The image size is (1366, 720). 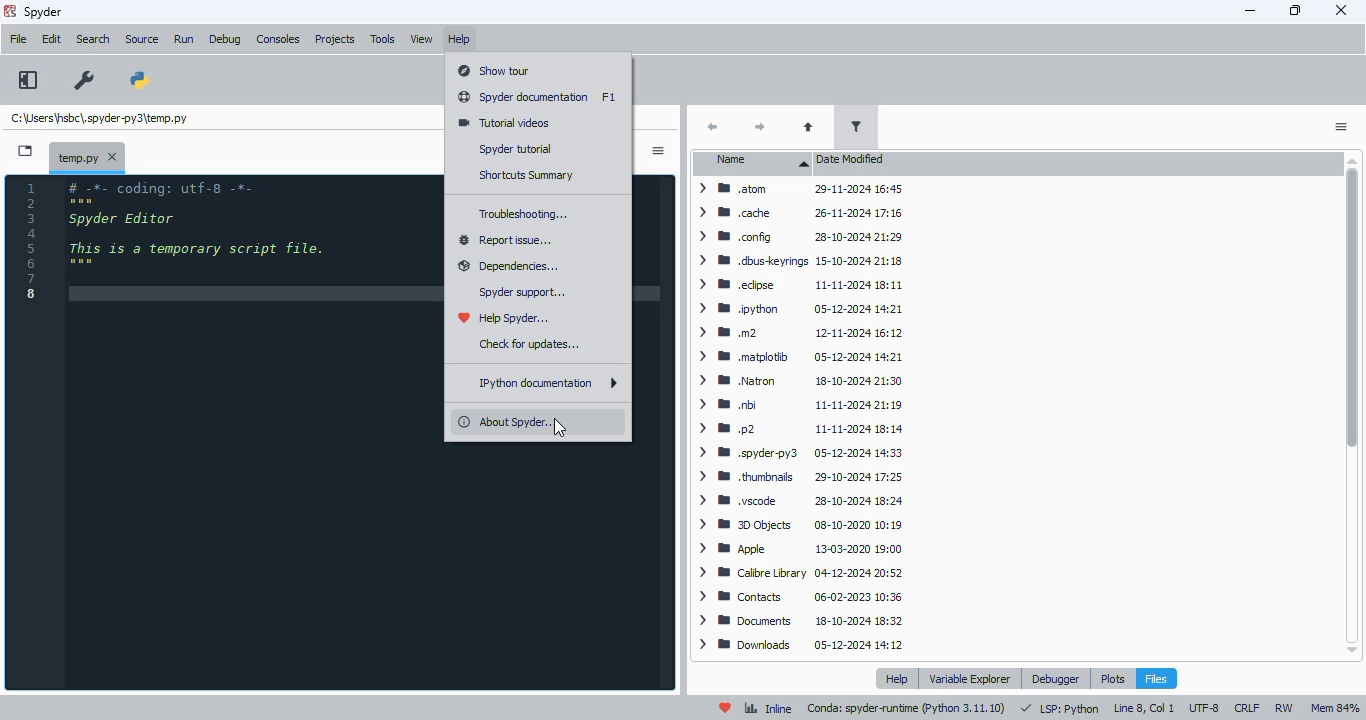 What do you see at coordinates (796, 236) in the screenshot?
I see `> Mm config 28-10-2024 21:29` at bounding box center [796, 236].